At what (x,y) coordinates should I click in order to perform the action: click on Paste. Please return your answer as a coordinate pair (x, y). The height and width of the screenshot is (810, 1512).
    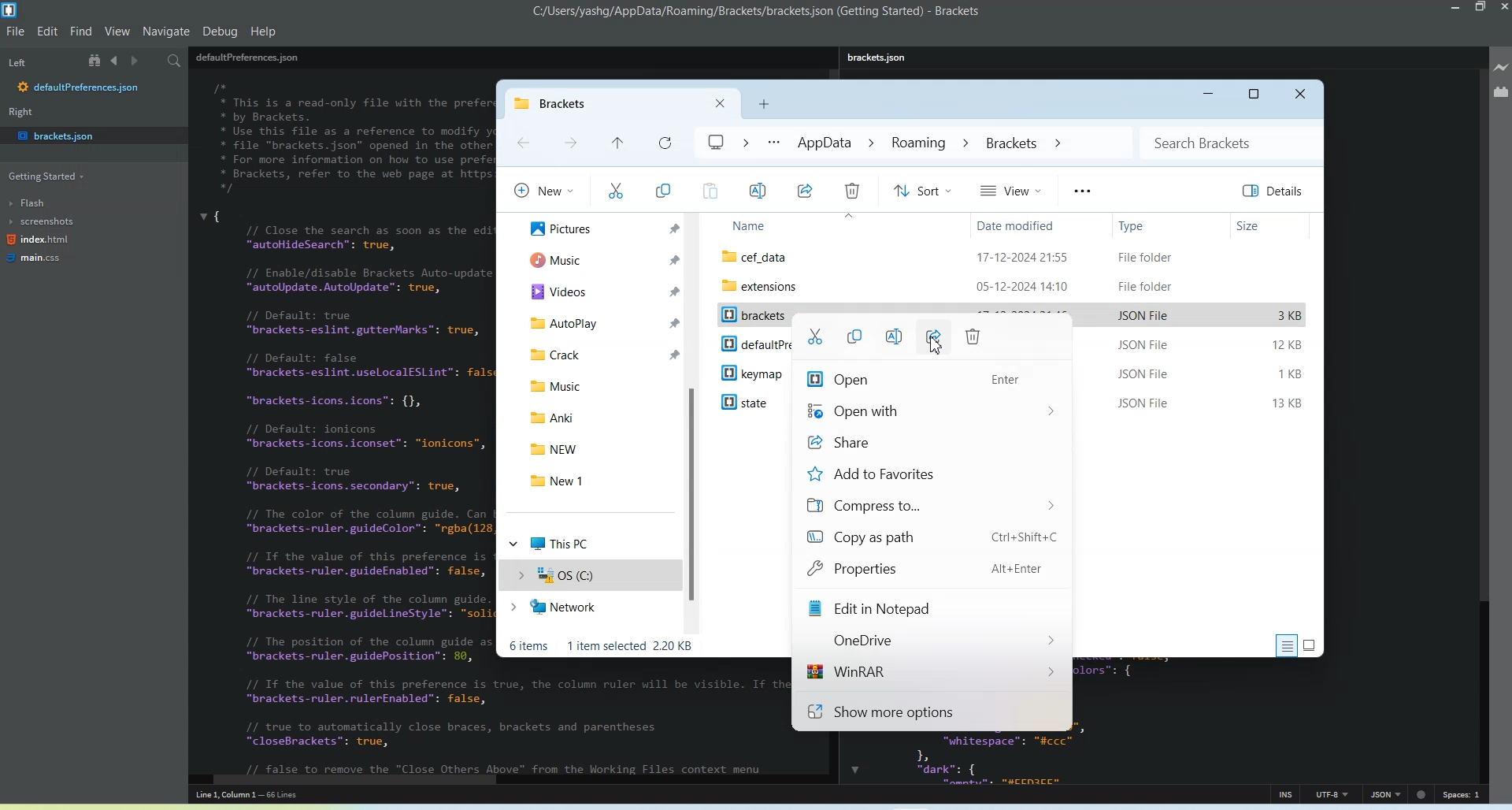
    Looking at the image, I should click on (709, 191).